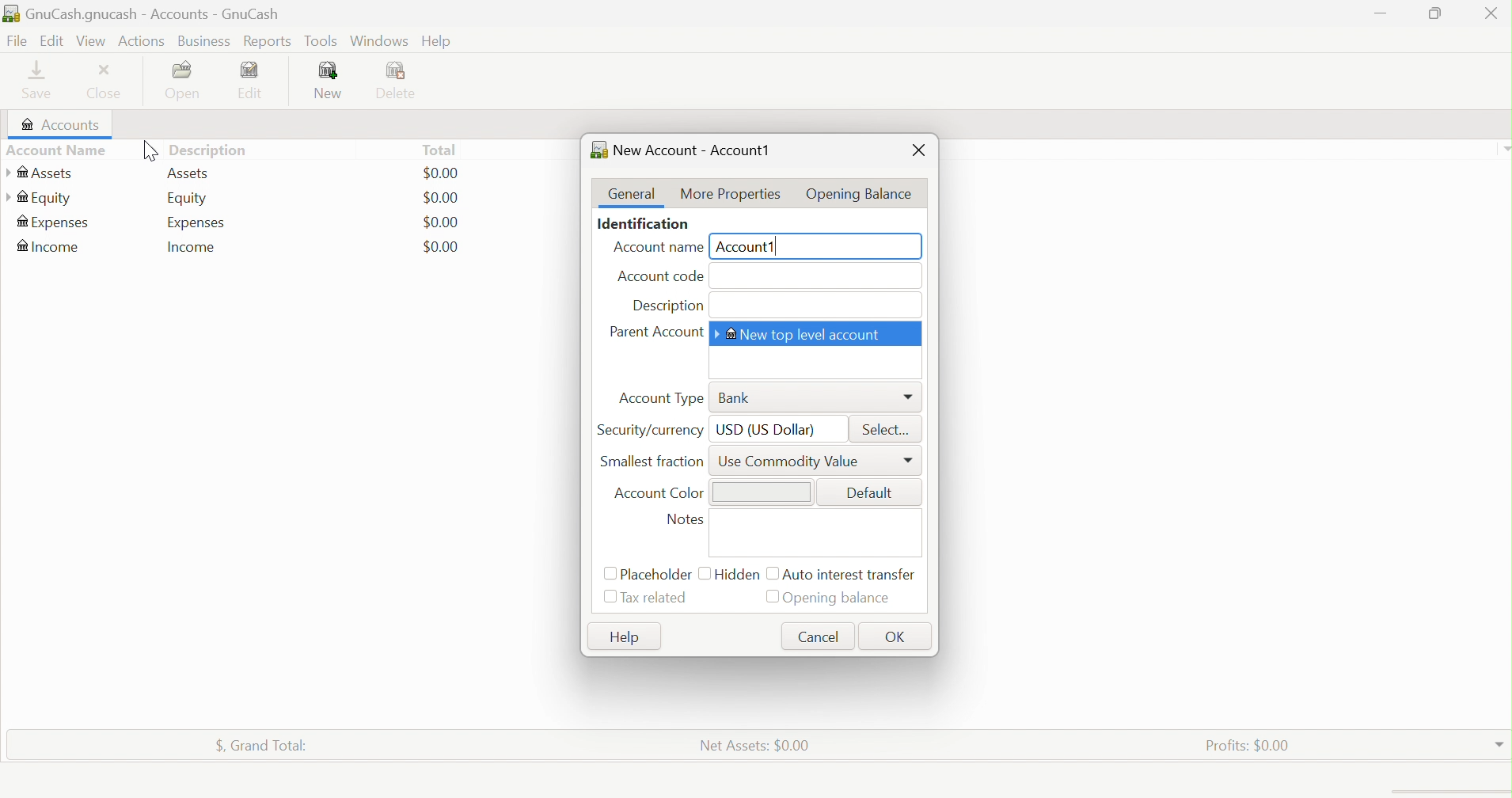  What do you see at coordinates (1382, 11) in the screenshot?
I see `Minimize` at bounding box center [1382, 11].